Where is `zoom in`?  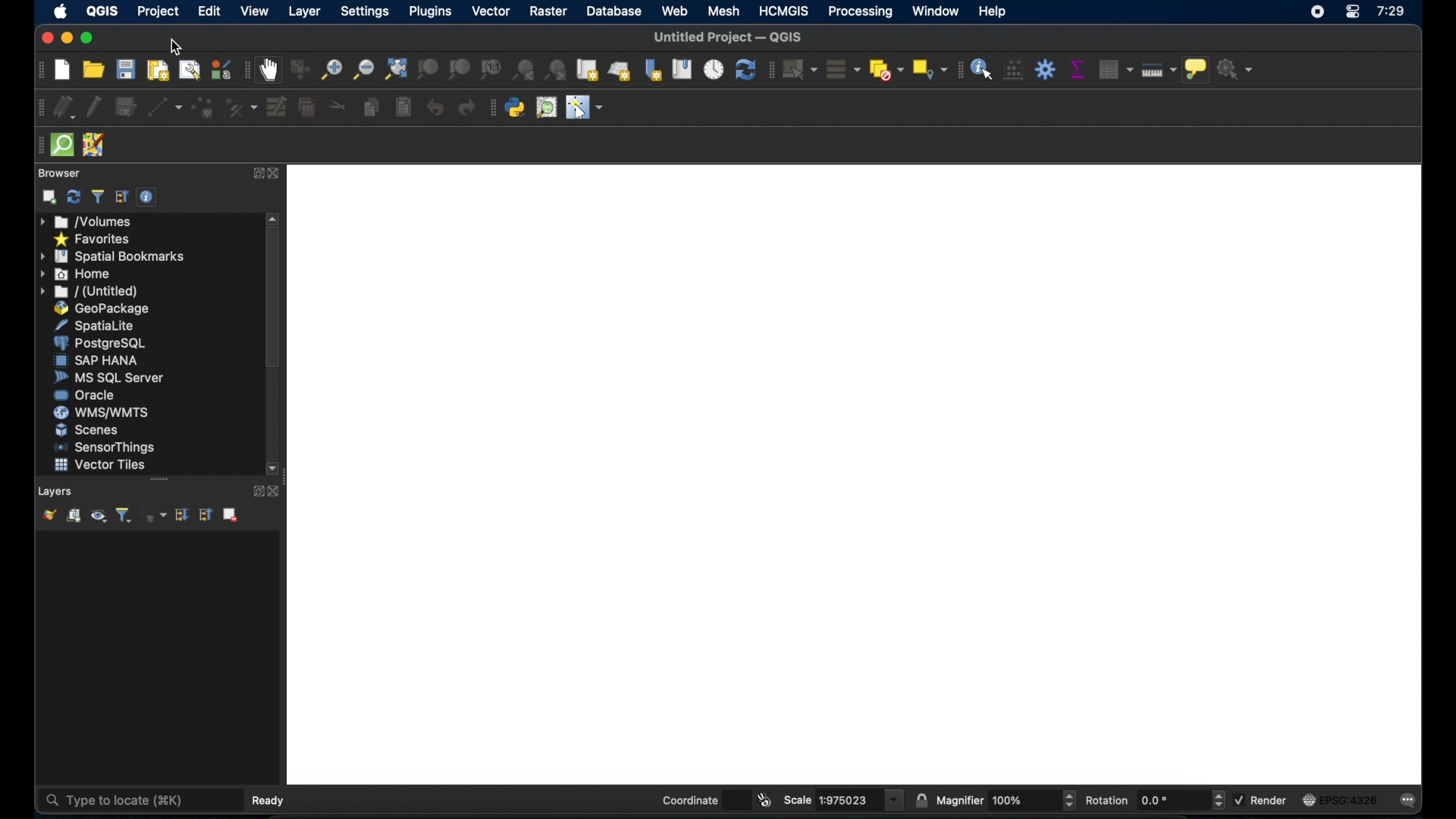
zoom in is located at coordinates (329, 69).